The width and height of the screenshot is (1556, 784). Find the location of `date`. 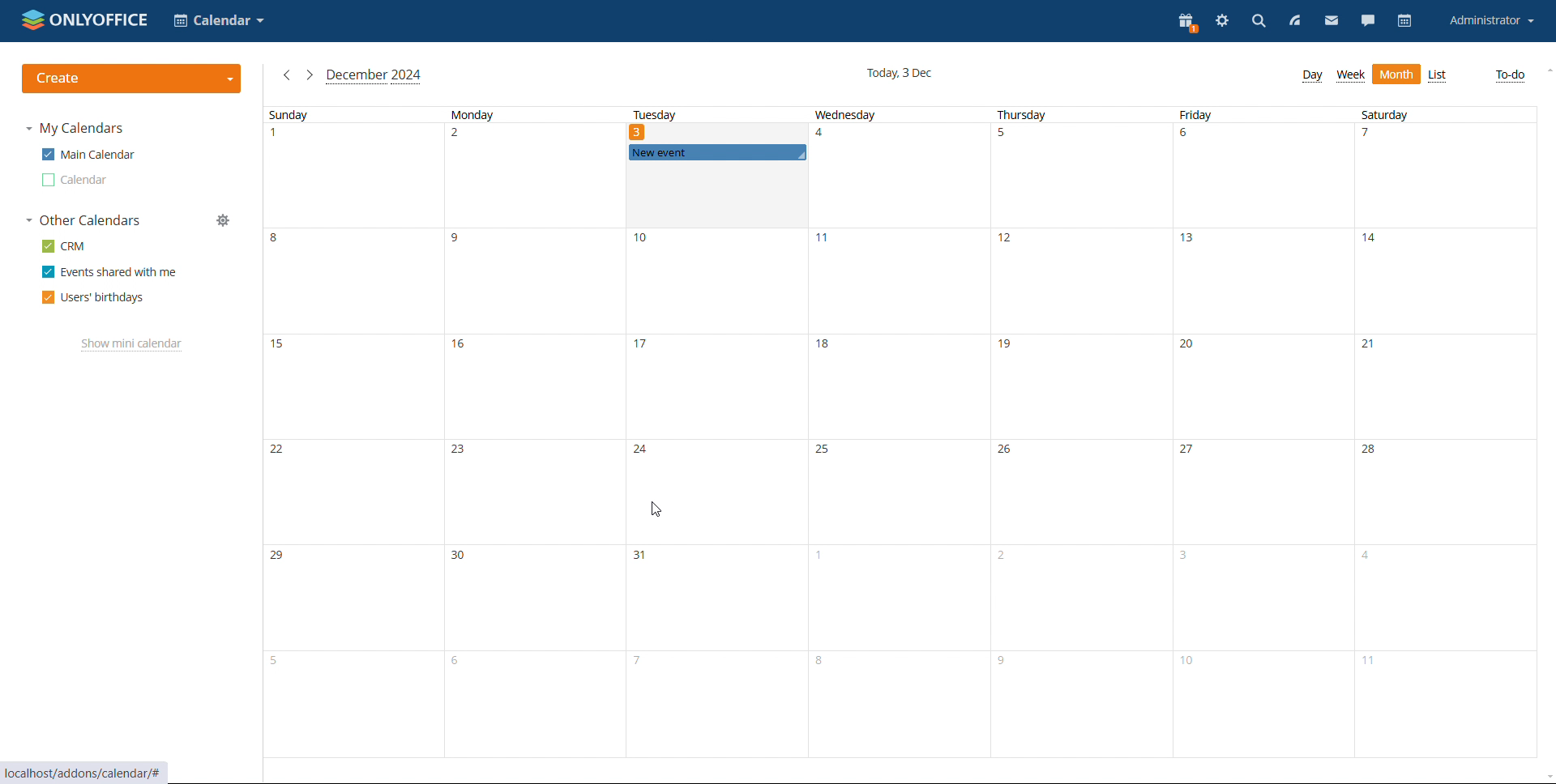

date is located at coordinates (352, 489).